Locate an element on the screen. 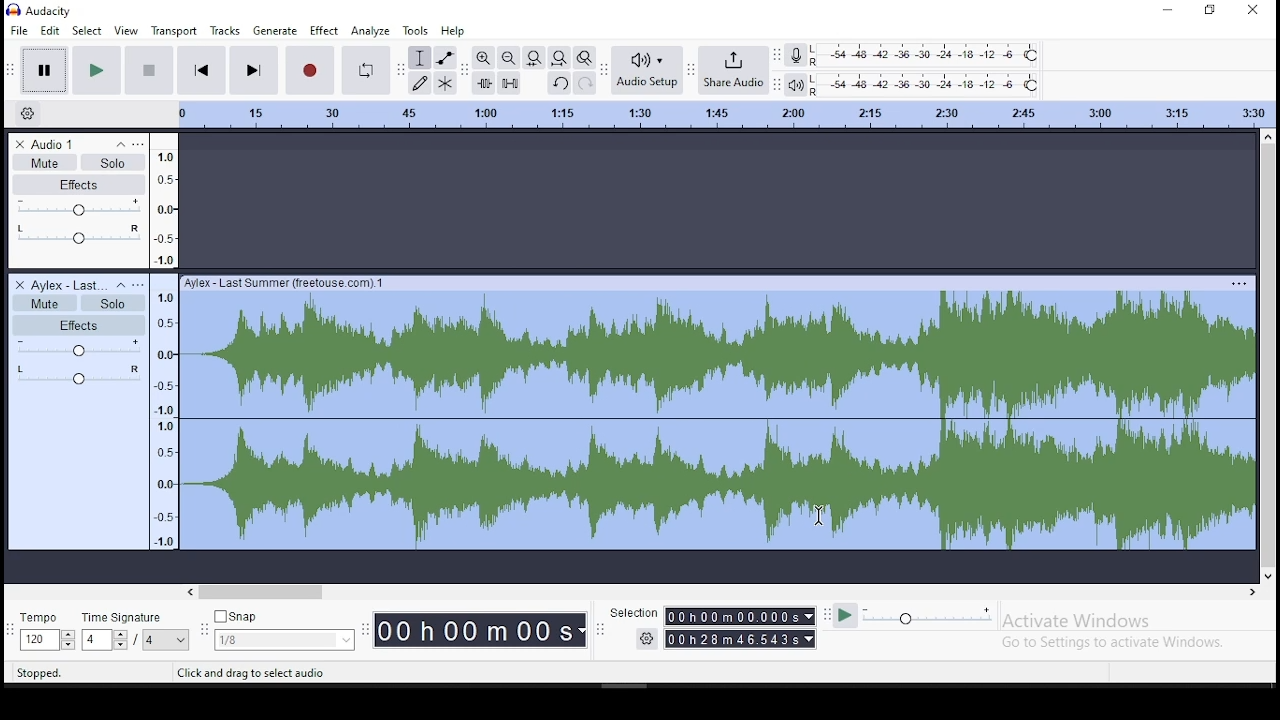  transport is located at coordinates (176, 31).